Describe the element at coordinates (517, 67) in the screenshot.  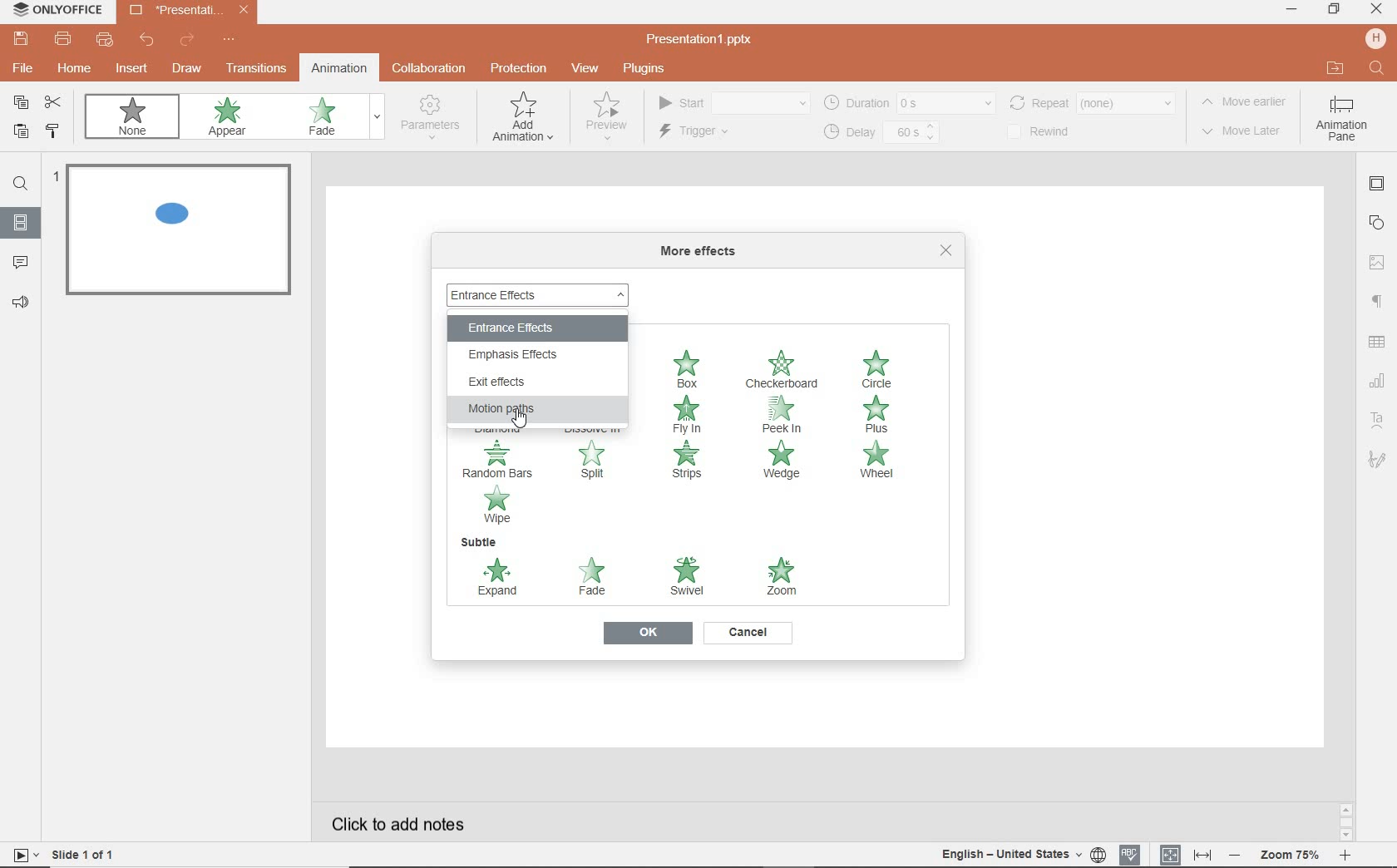
I see `protection` at that location.